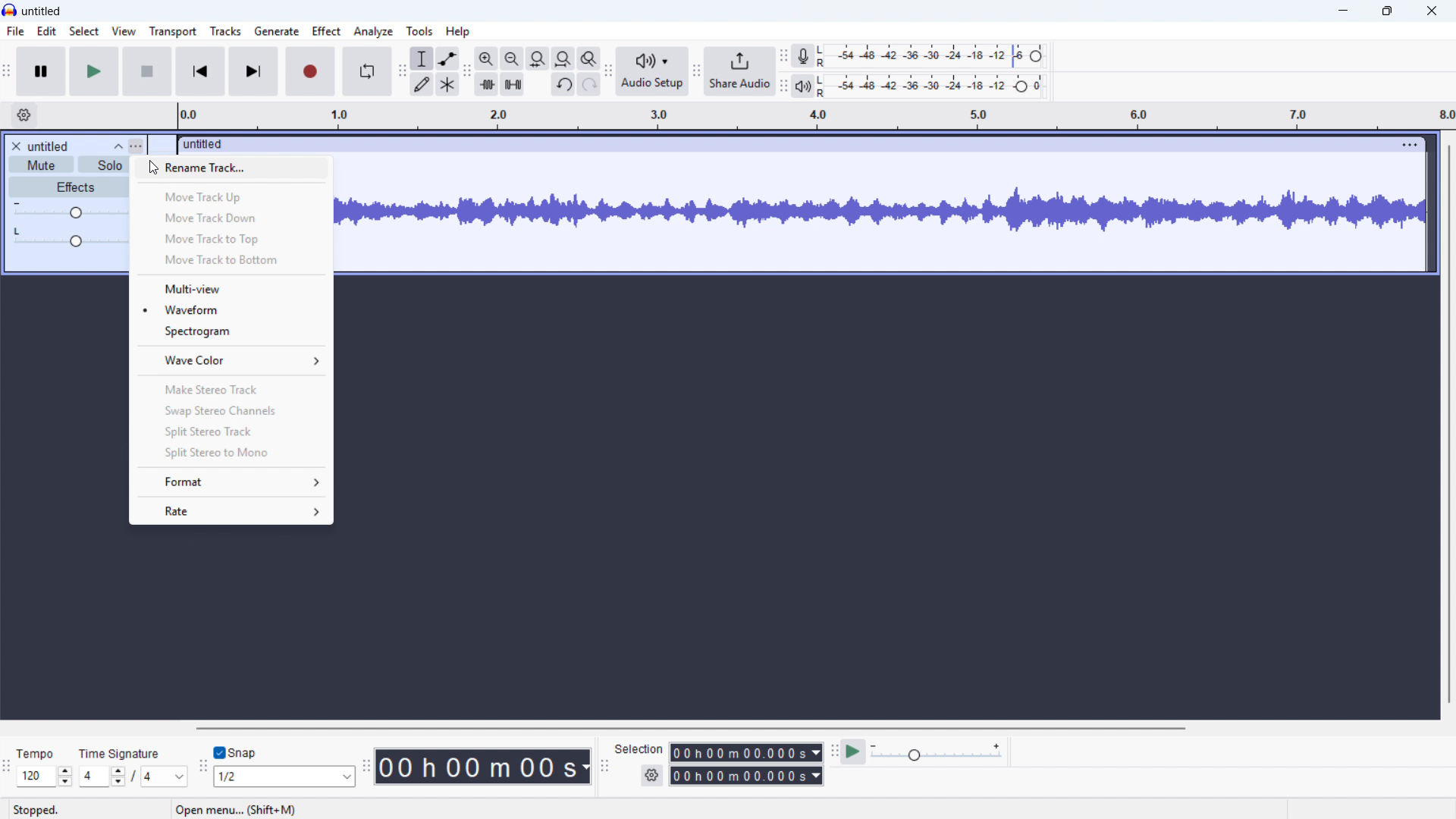  Describe the element at coordinates (231, 481) in the screenshot. I see `Format ` at that location.